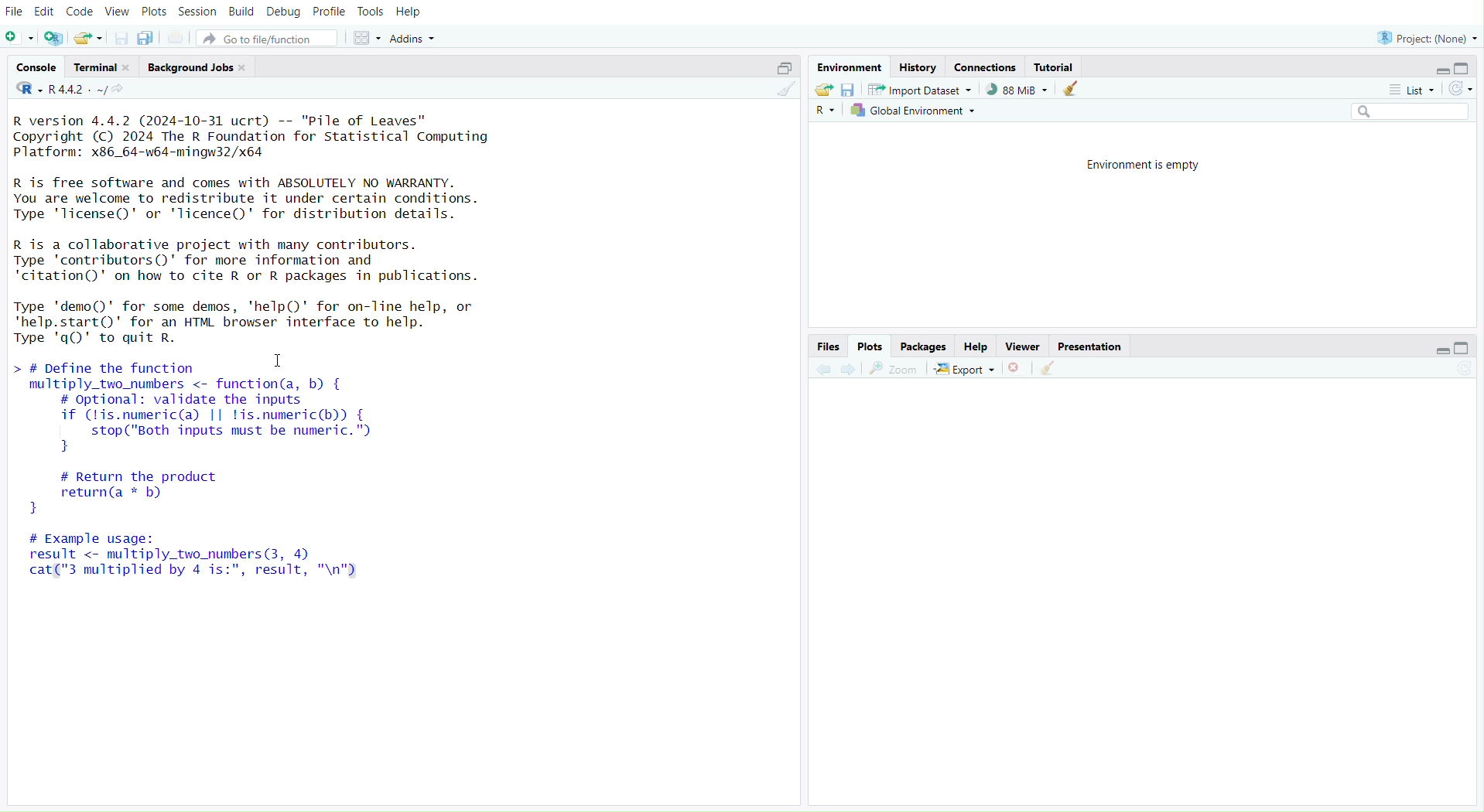 The height and width of the screenshot is (812, 1484). Describe the element at coordinates (26, 93) in the screenshot. I see `R` at that location.